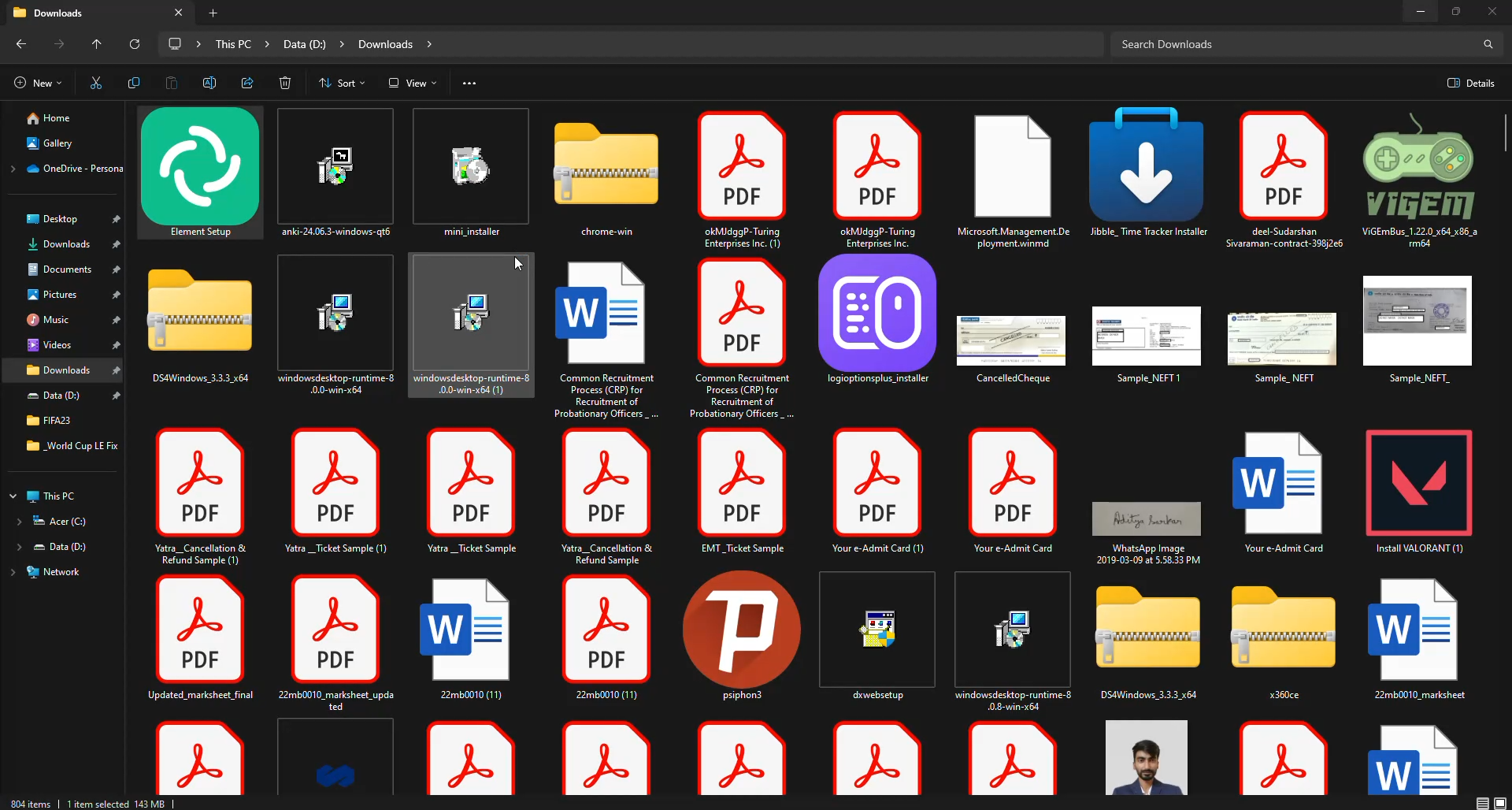  Describe the element at coordinates (1471, 82) in the screenshot. I see `details` at that location.